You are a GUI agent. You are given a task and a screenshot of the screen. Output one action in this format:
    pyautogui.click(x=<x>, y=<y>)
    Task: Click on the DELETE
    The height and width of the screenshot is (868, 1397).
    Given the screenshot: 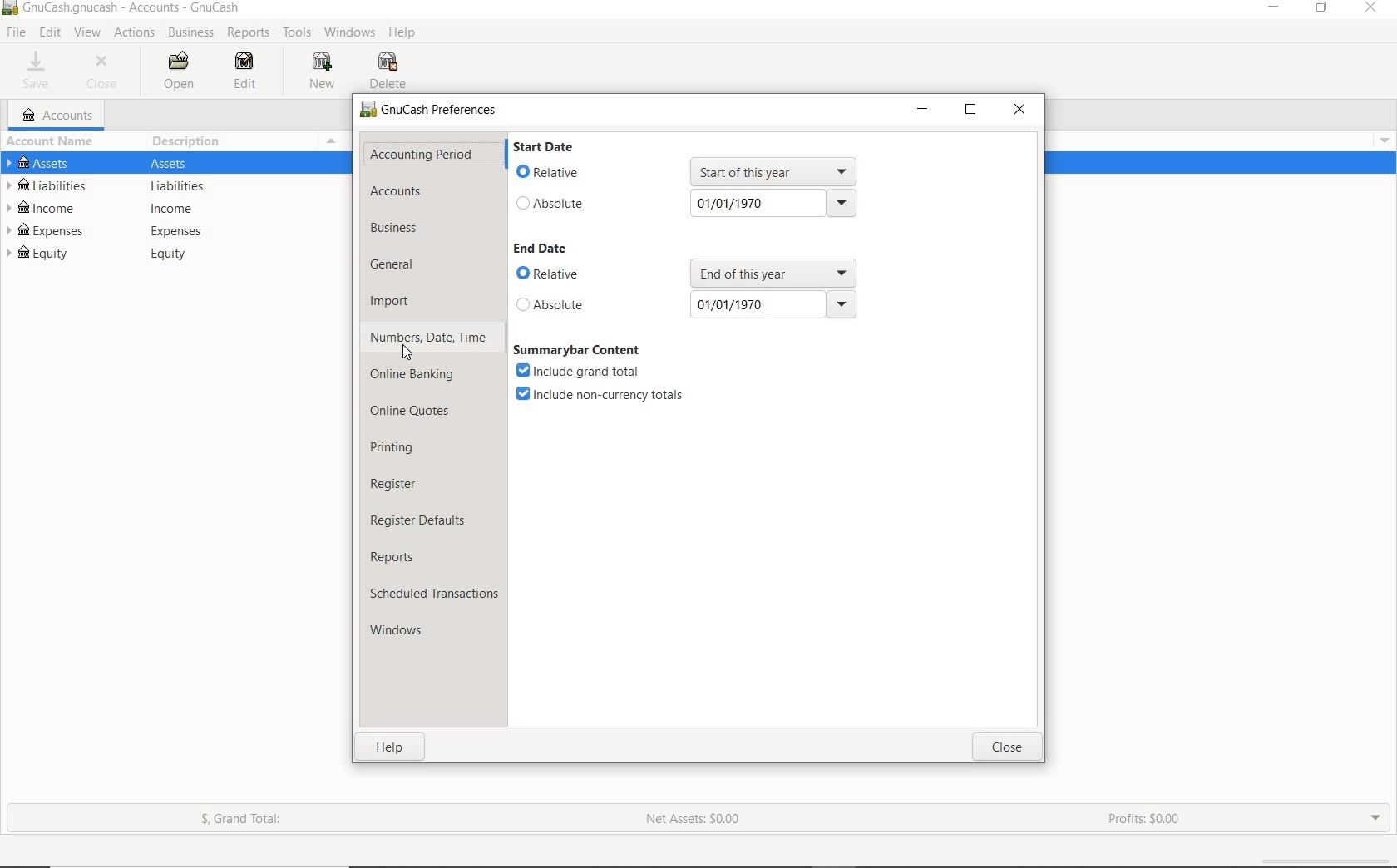 What is the action you would take?
    pyautogui.click(x=391, y=72)
    